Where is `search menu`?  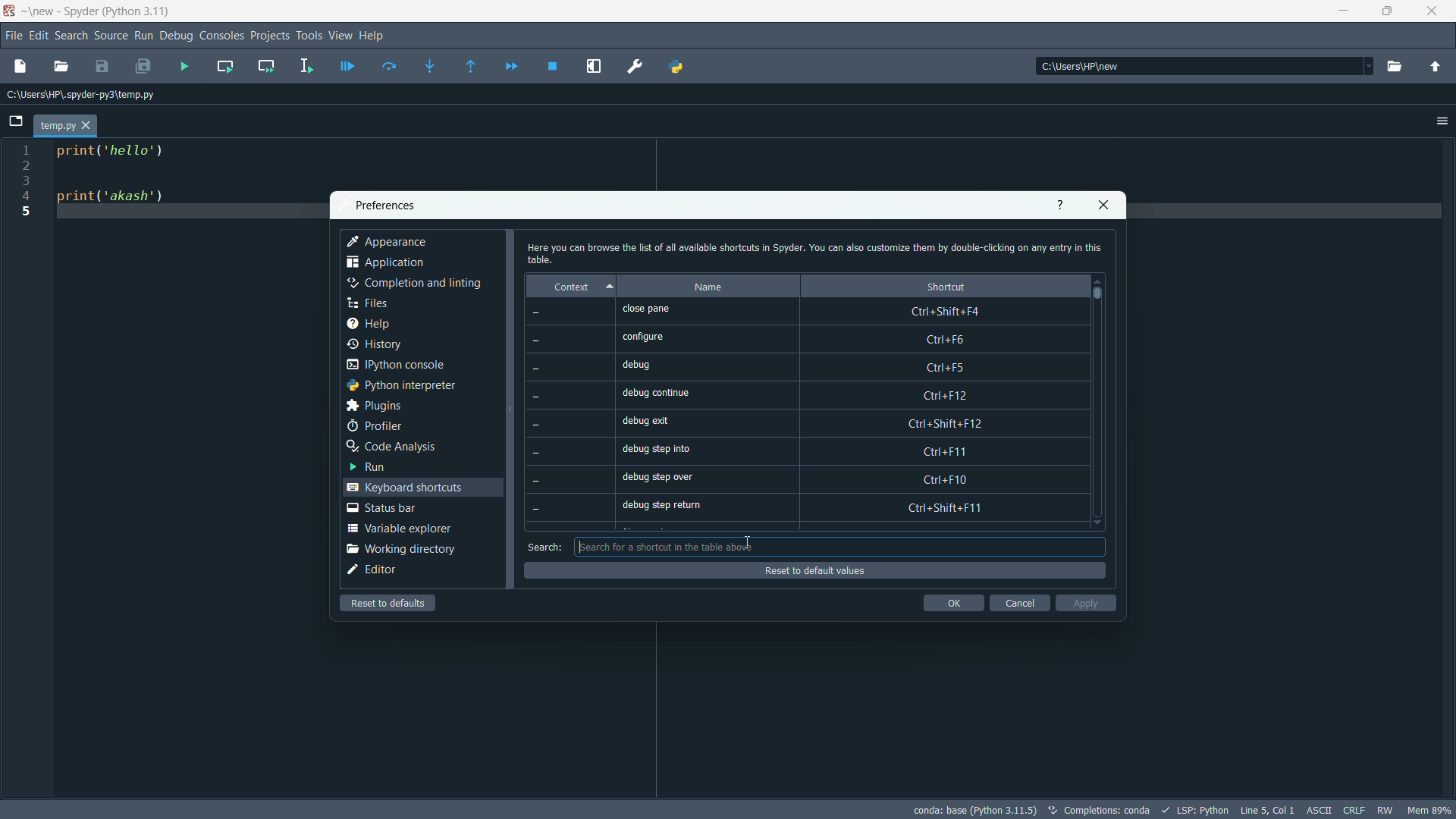
search menu is located at coordinates (72, 34).